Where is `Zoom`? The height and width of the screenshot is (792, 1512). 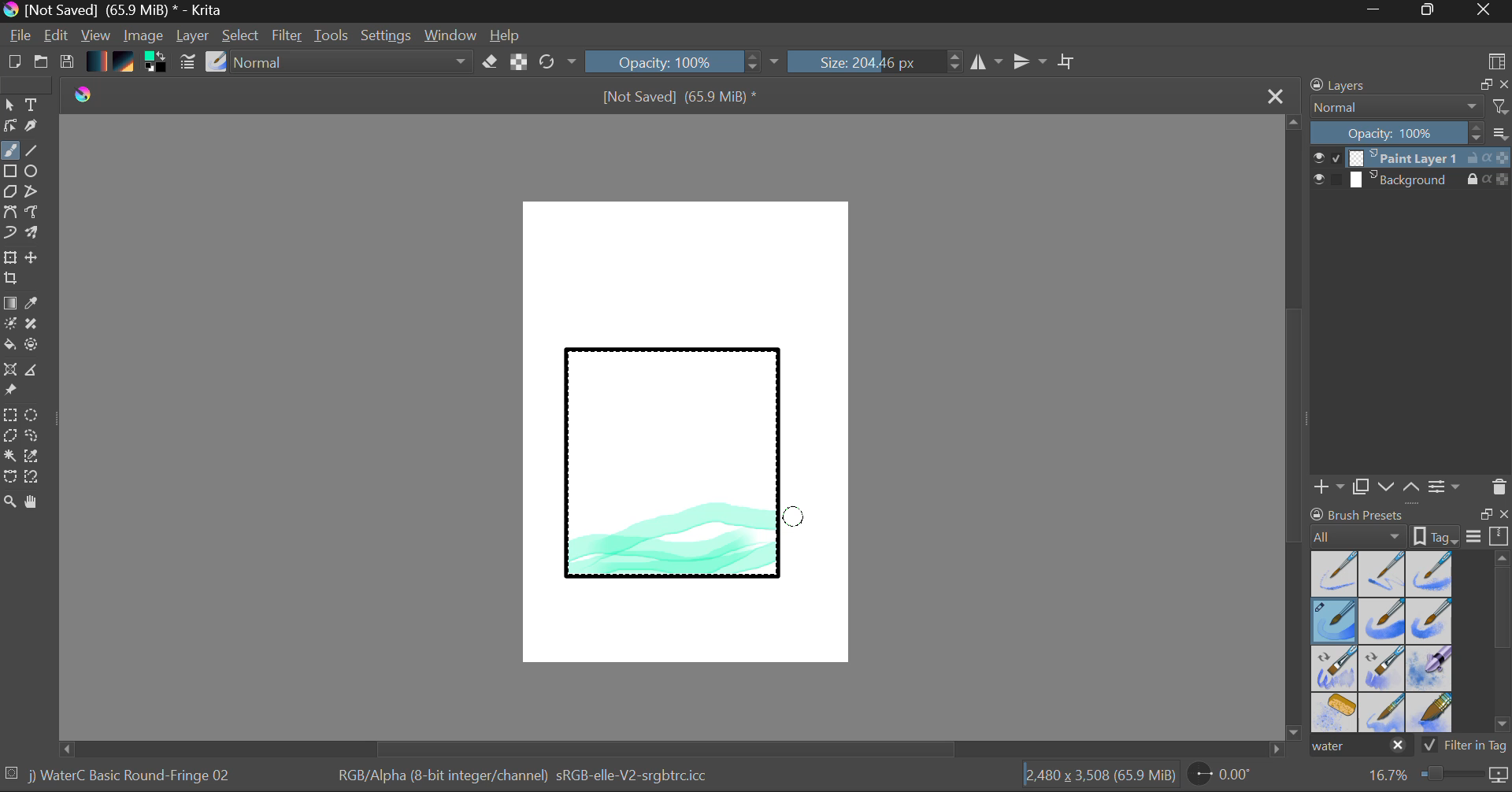
Zoom is located at coordinates (10, 503).